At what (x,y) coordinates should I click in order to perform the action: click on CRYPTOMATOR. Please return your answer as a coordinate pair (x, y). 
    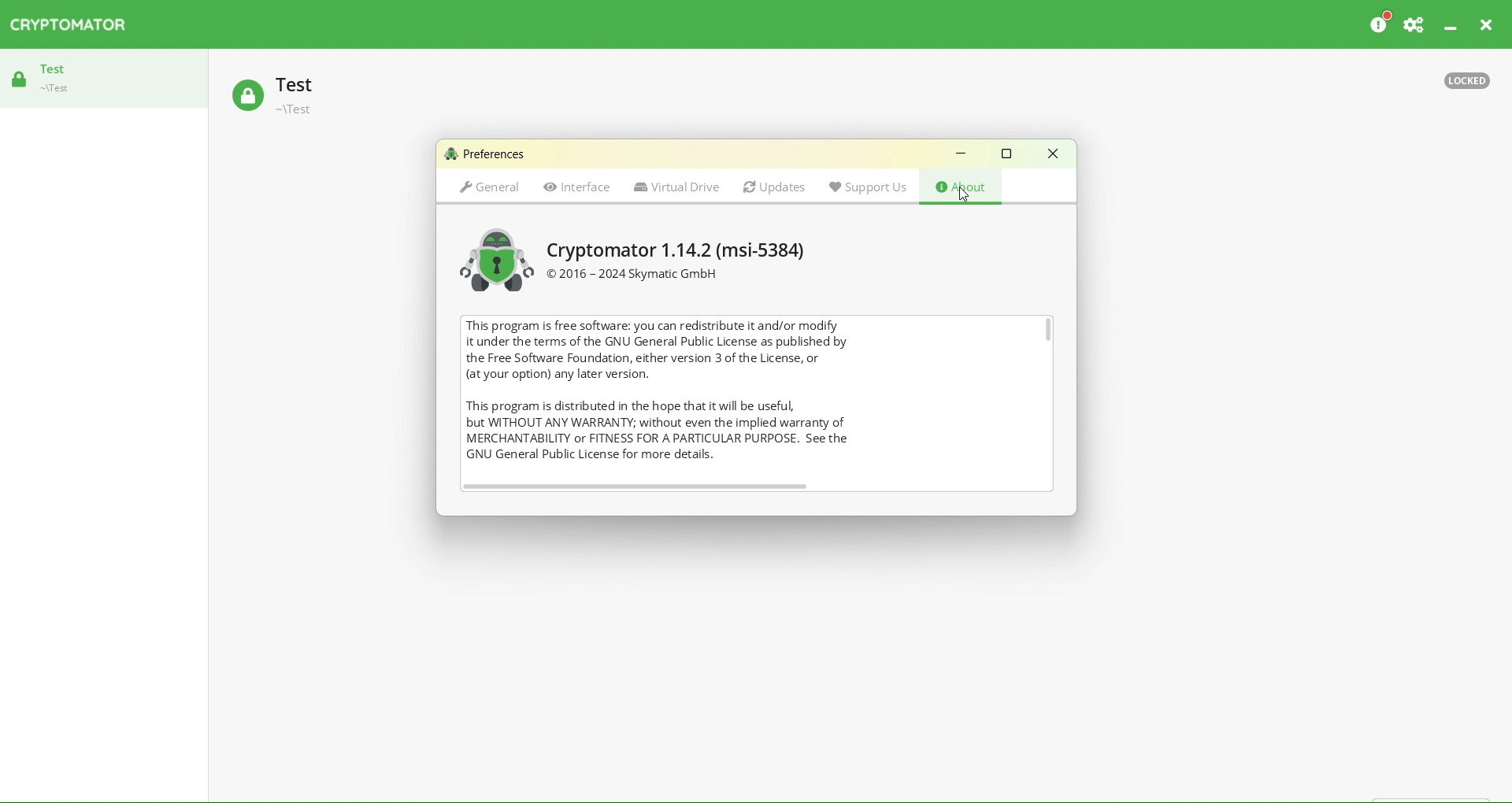
    Looking at the image, I should click on (73, 24).